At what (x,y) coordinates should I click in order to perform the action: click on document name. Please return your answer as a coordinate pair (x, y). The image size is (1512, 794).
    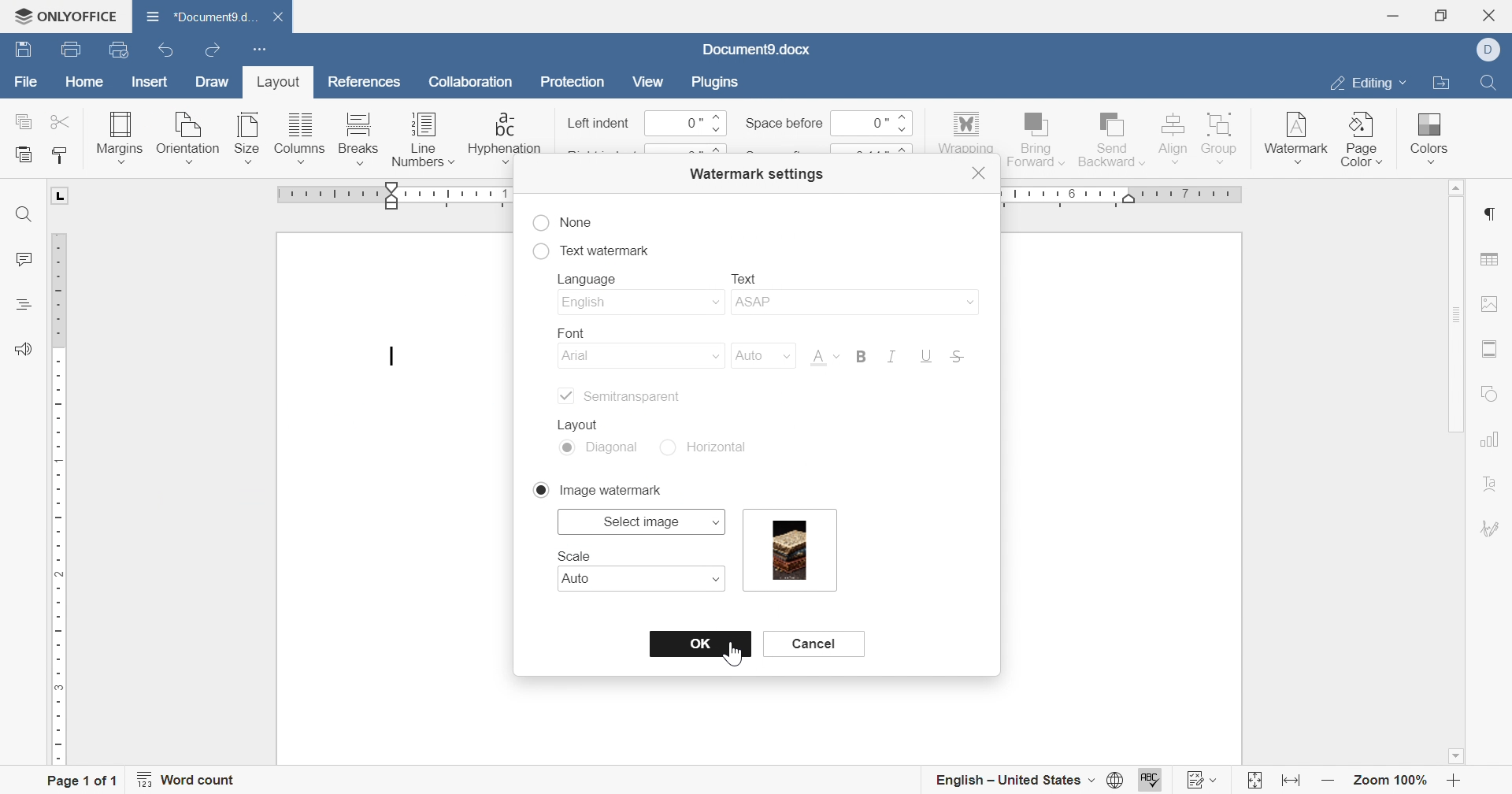
    Looking at the image, I should click on (198, 16).